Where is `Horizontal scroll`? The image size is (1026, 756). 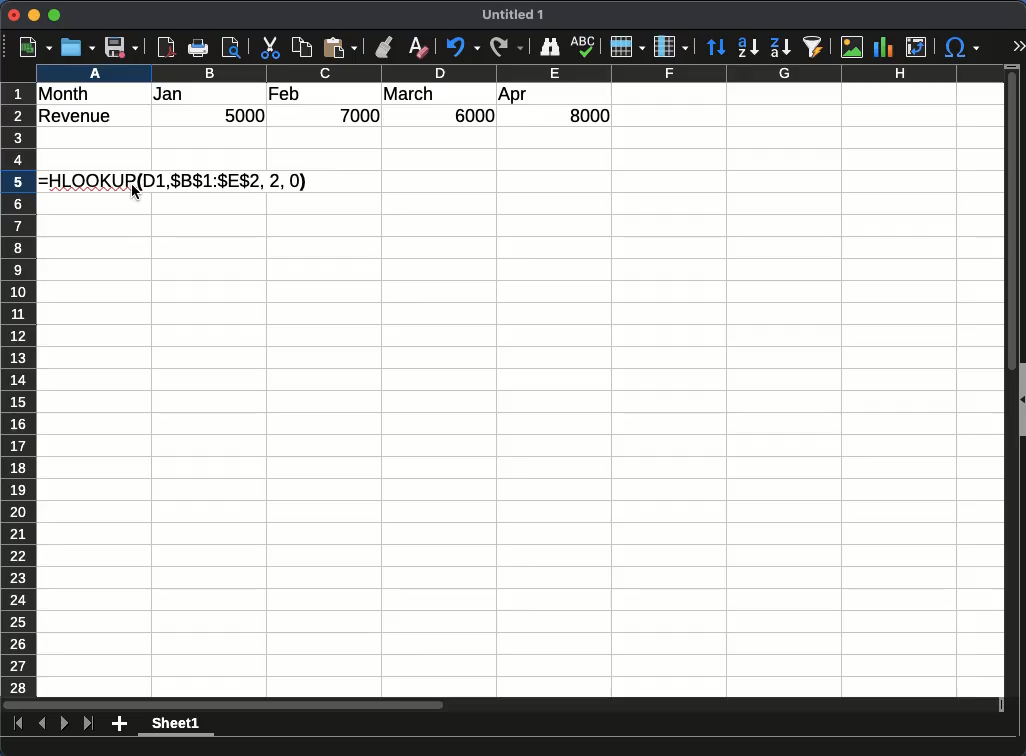
Horizontal scroll is located at coordinates (503, 705).